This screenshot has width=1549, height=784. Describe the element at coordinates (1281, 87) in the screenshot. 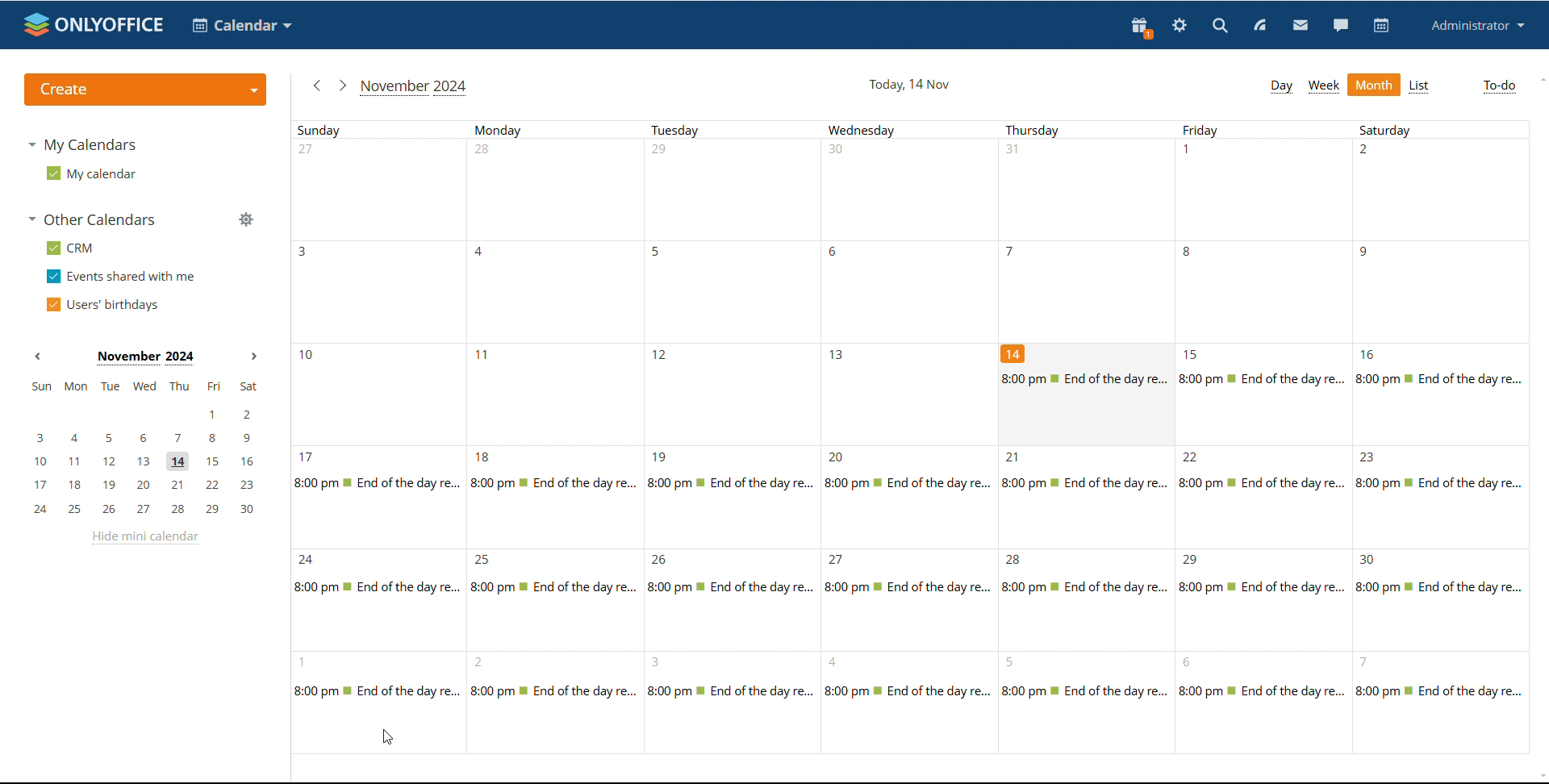

I see `day view` at that location.